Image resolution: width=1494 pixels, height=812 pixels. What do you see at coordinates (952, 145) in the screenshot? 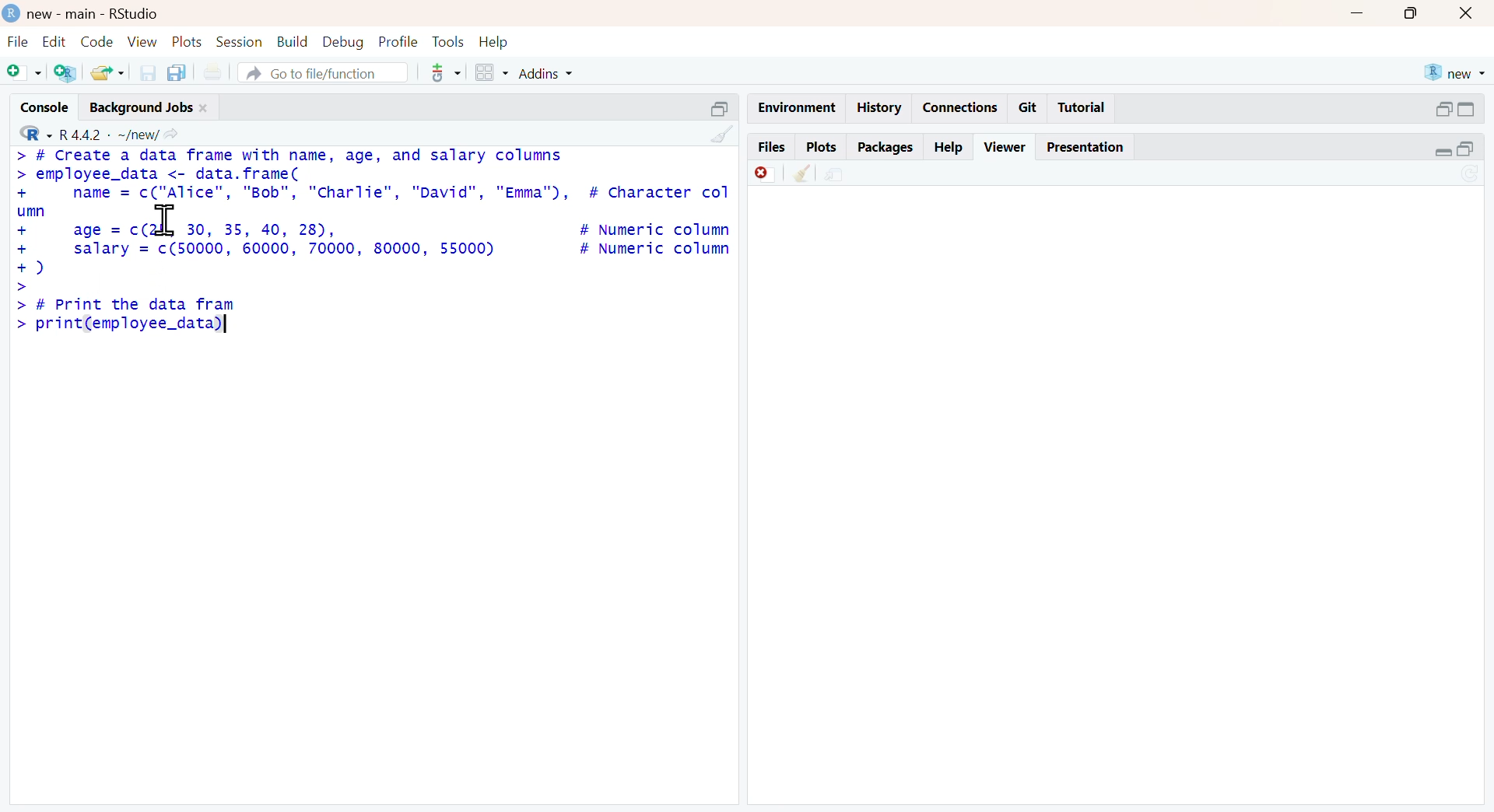
I see `Help` at bounding box center [952, 145].